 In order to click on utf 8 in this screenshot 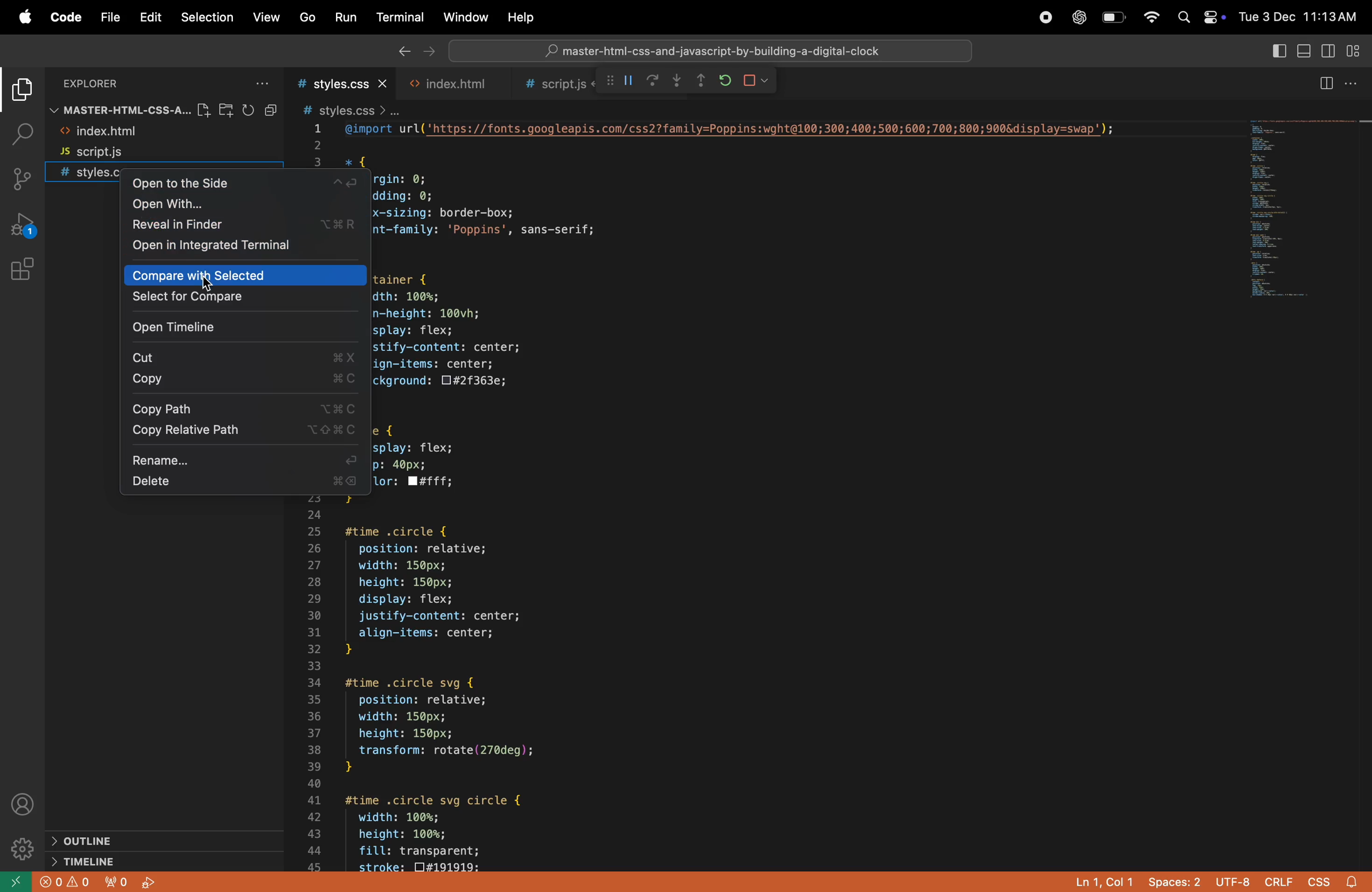, I will do `click(1236, 882)`.